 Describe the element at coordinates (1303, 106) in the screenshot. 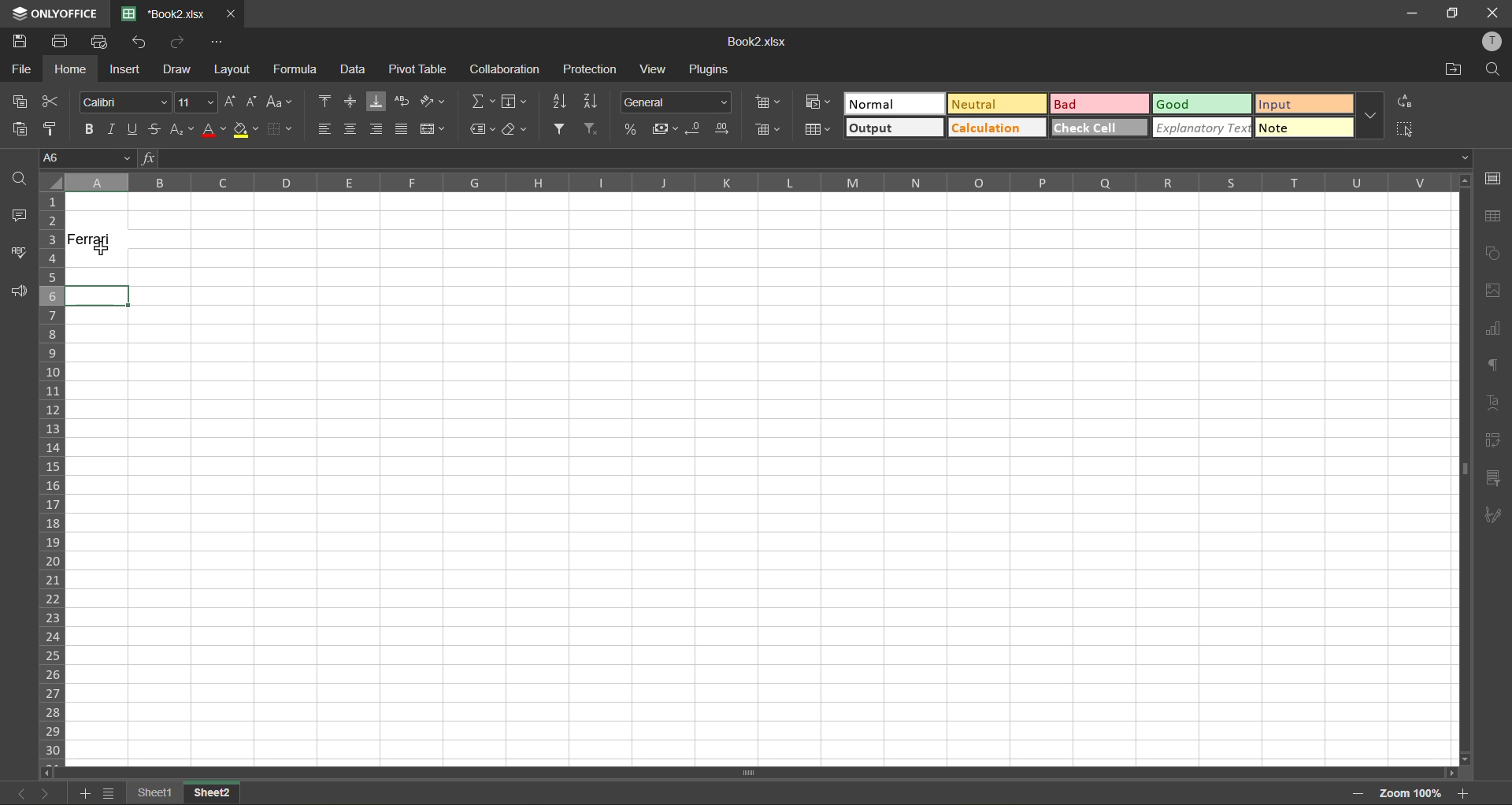

I see `input` at that location.